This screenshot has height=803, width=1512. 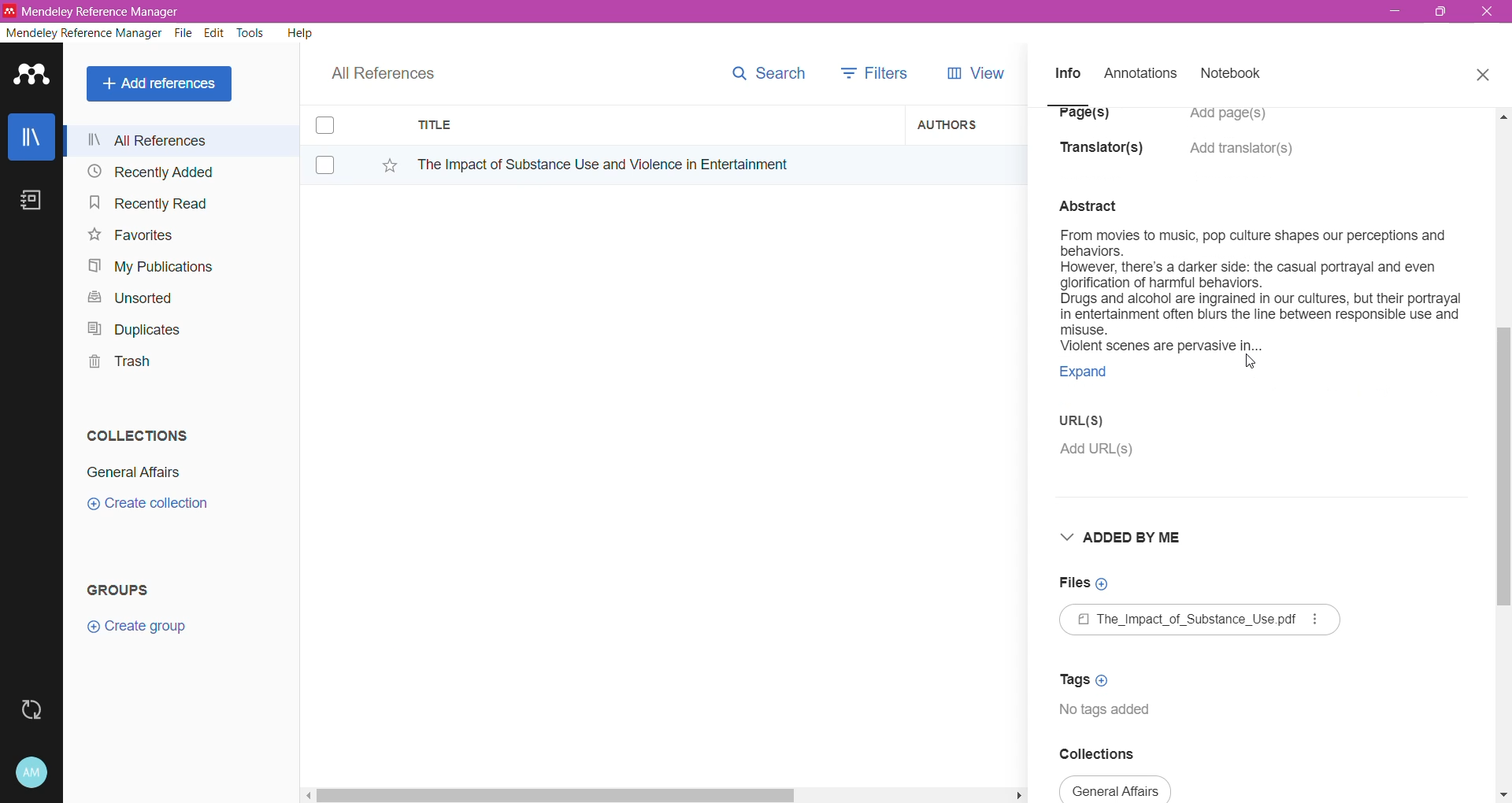 What do you see at coordinates (1236, 121) in the screenshot?
I see `Click to Add Pages` at bounding box center [1236, 121].